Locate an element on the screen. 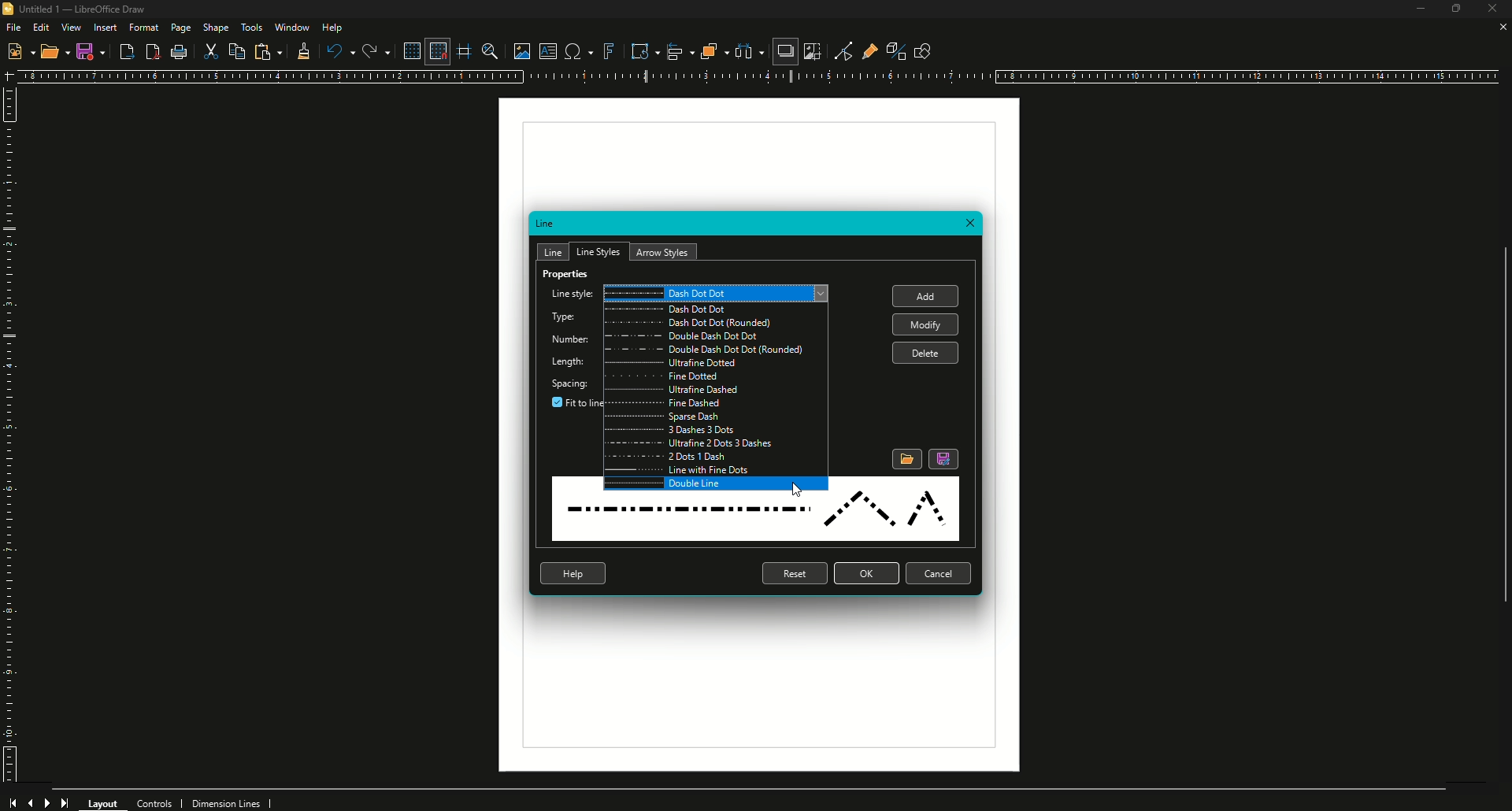 The height and width of the screenshot is (811, 1512). Type is located at coordinates (564, 318).